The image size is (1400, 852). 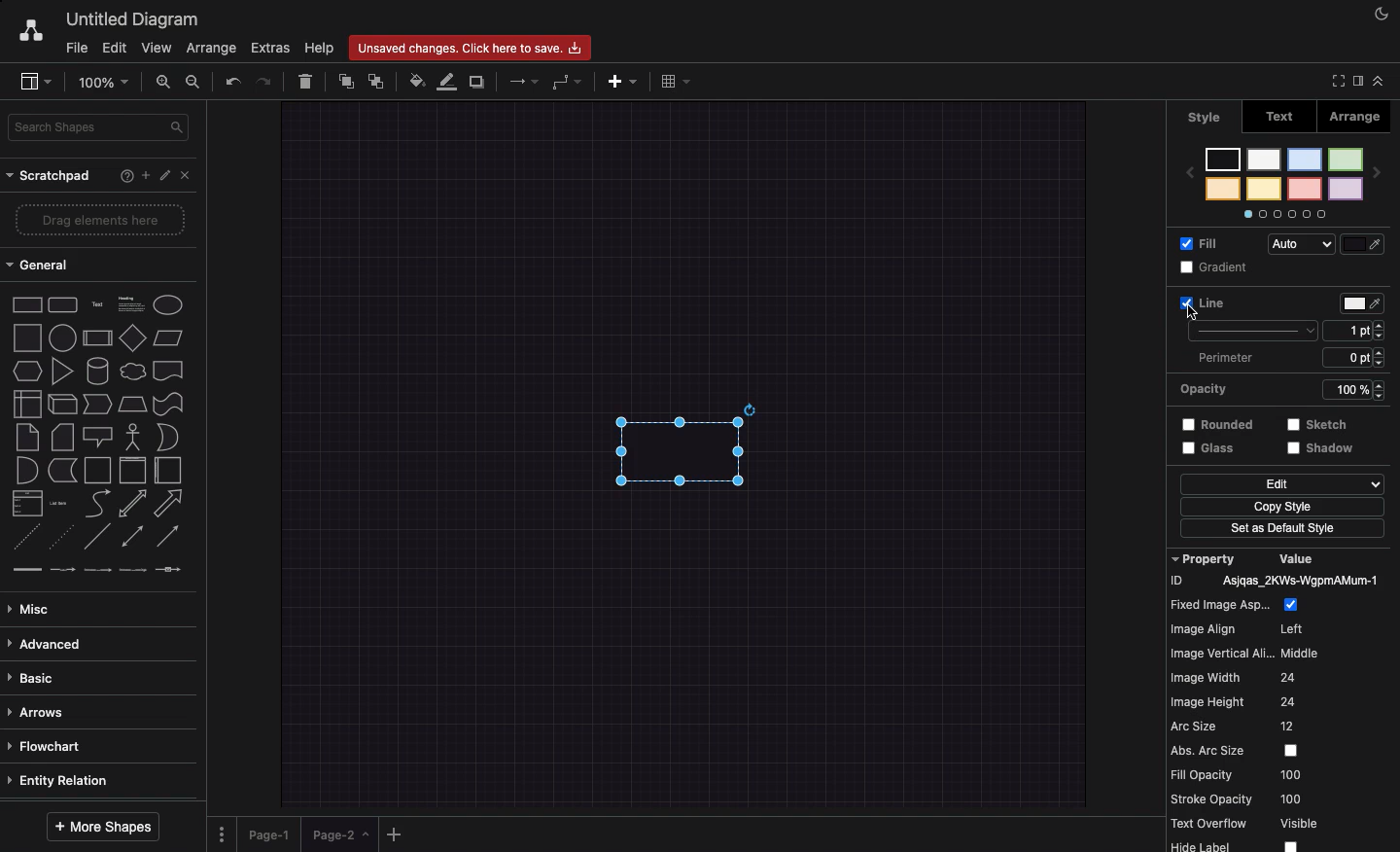 What do you see at coordinates (60, 502) in the screenshot?
I see `list item` at bounding box center [60, 502].